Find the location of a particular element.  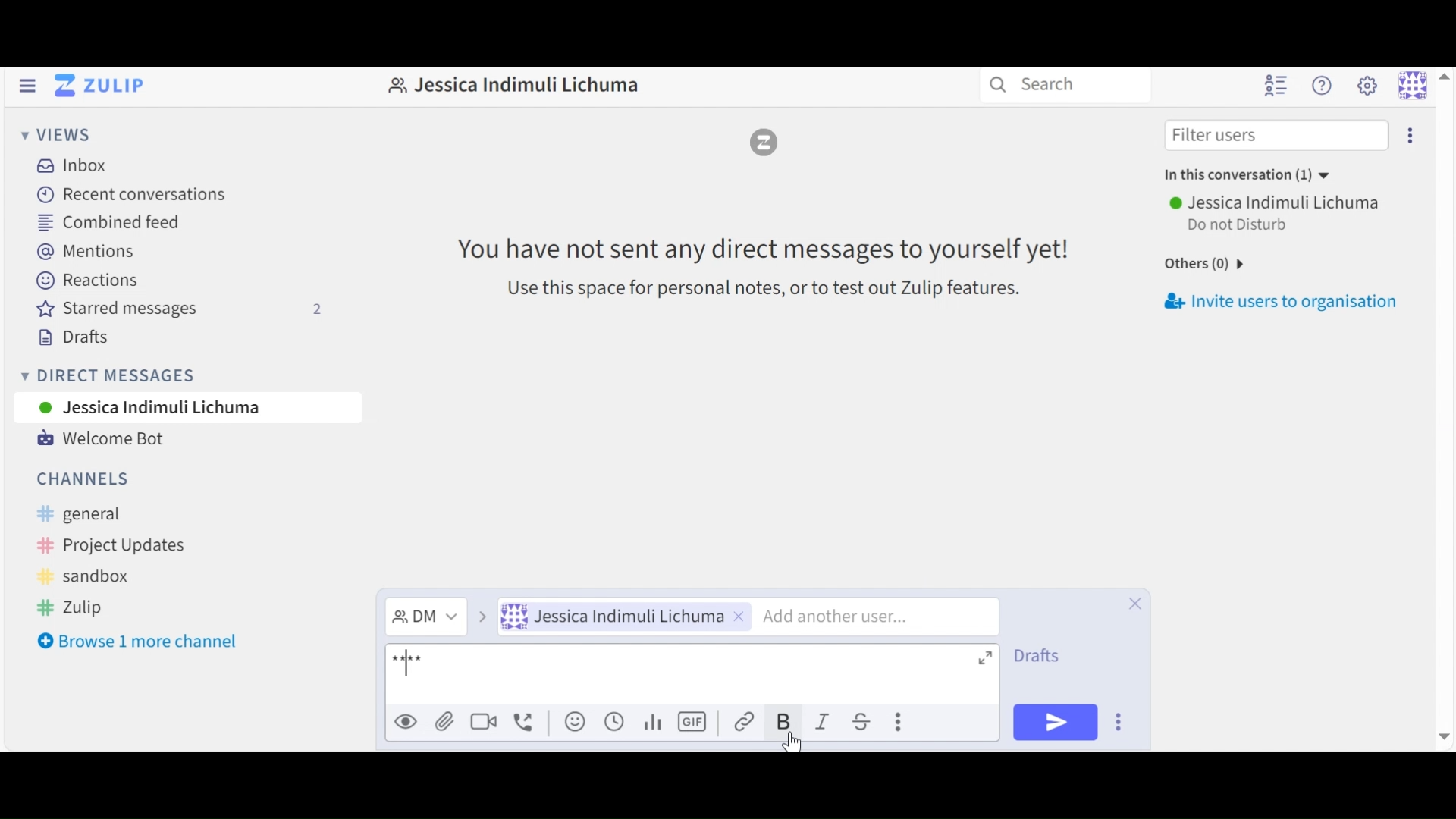

Add poll is located at coordinates (654, 720).